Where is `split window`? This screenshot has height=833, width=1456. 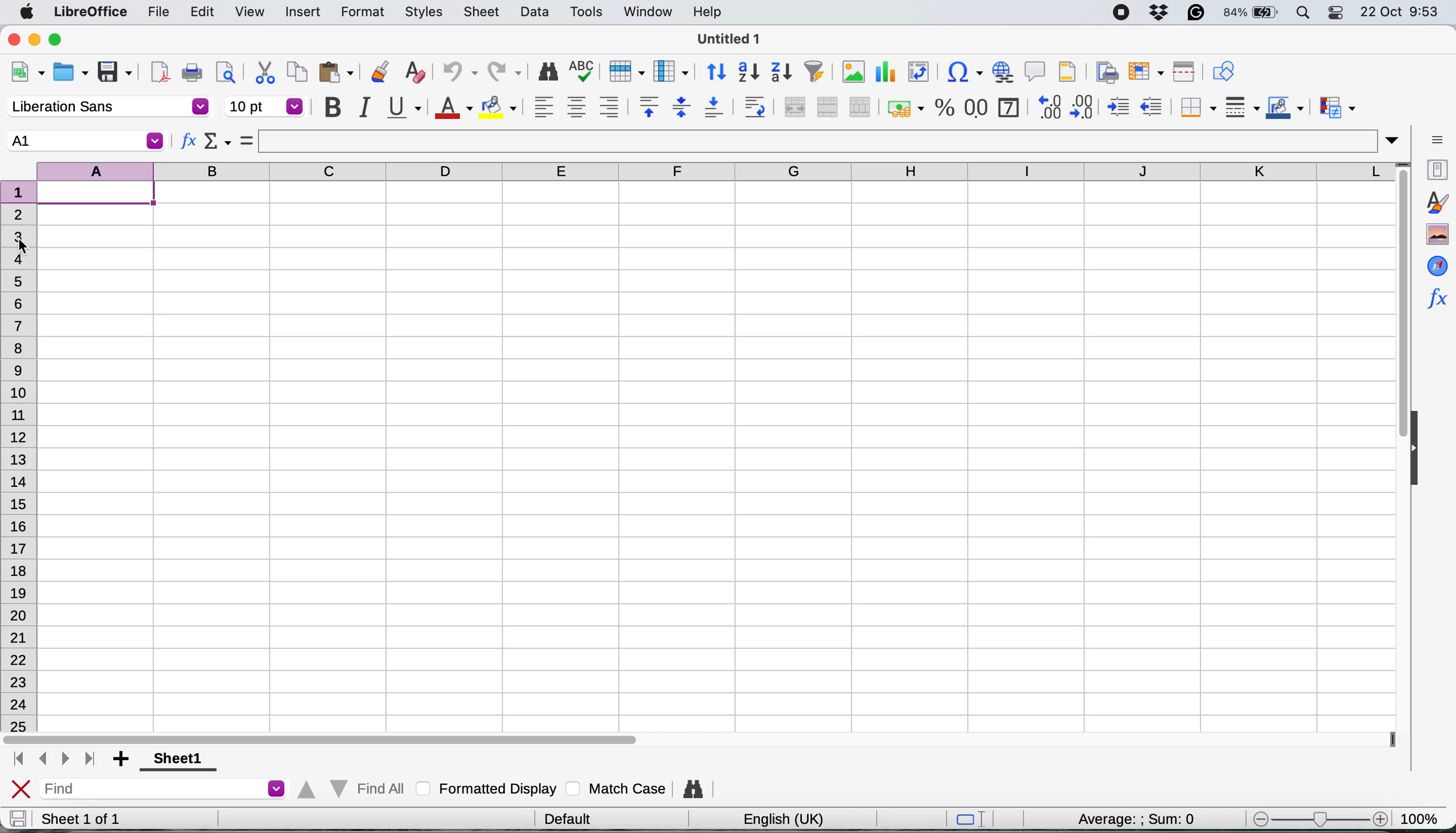
split window is located at coordinates (1181, 72).